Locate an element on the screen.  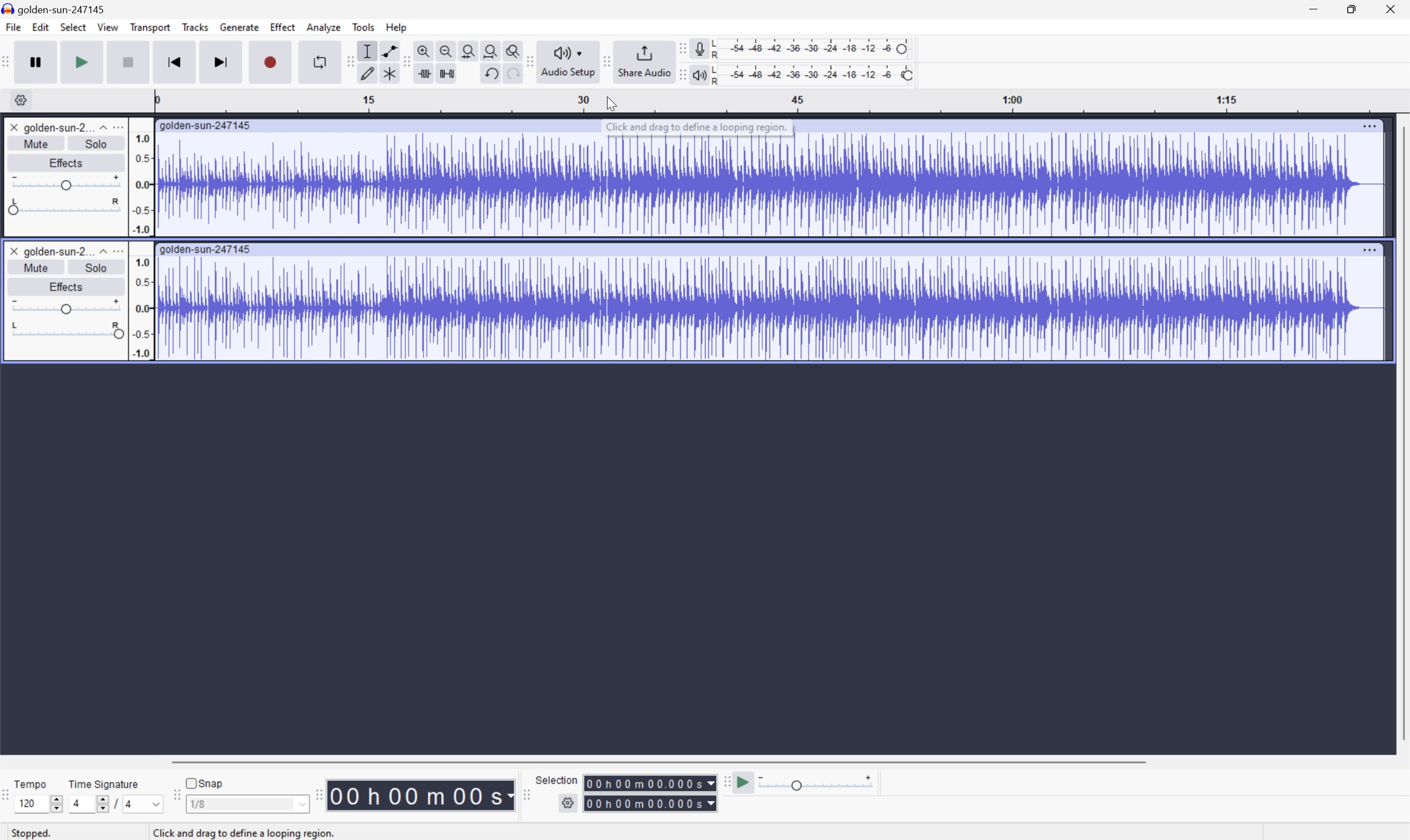
Scroll Bar is located at coordinates (661, 761).